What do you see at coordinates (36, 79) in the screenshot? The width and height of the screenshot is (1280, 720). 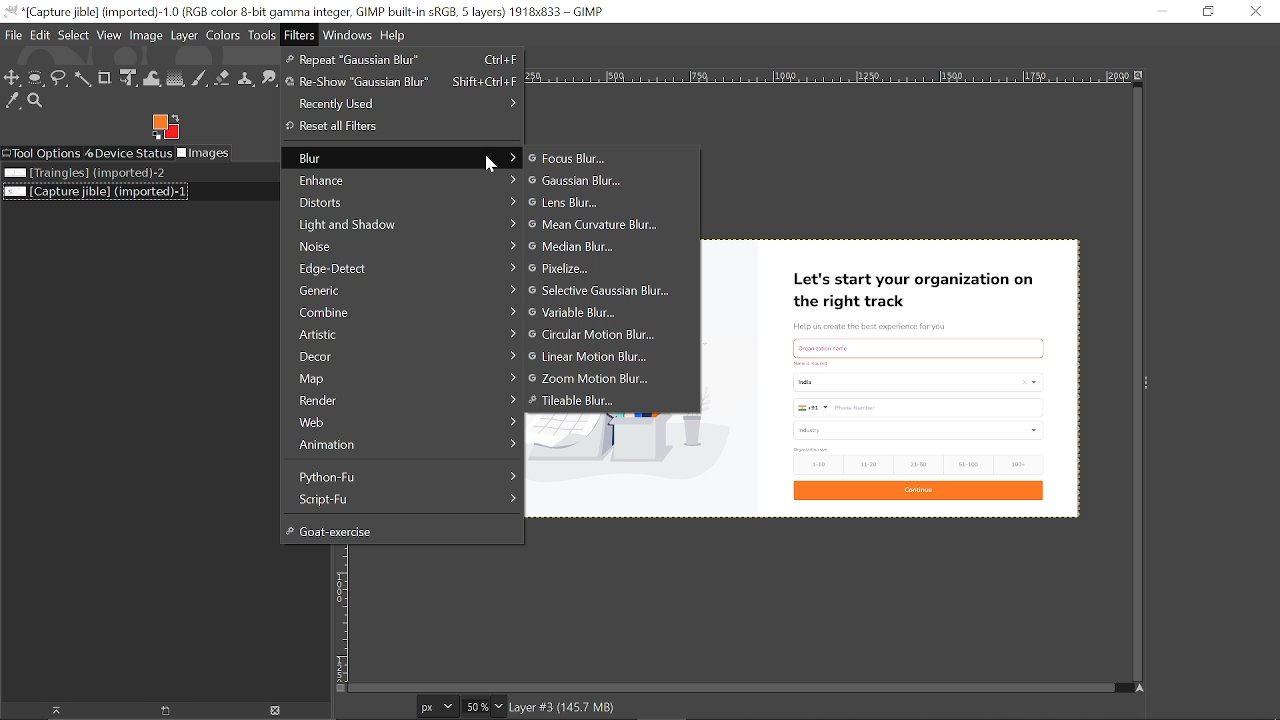 I see `Ellipse select tool` at bounding box center [36, 79].